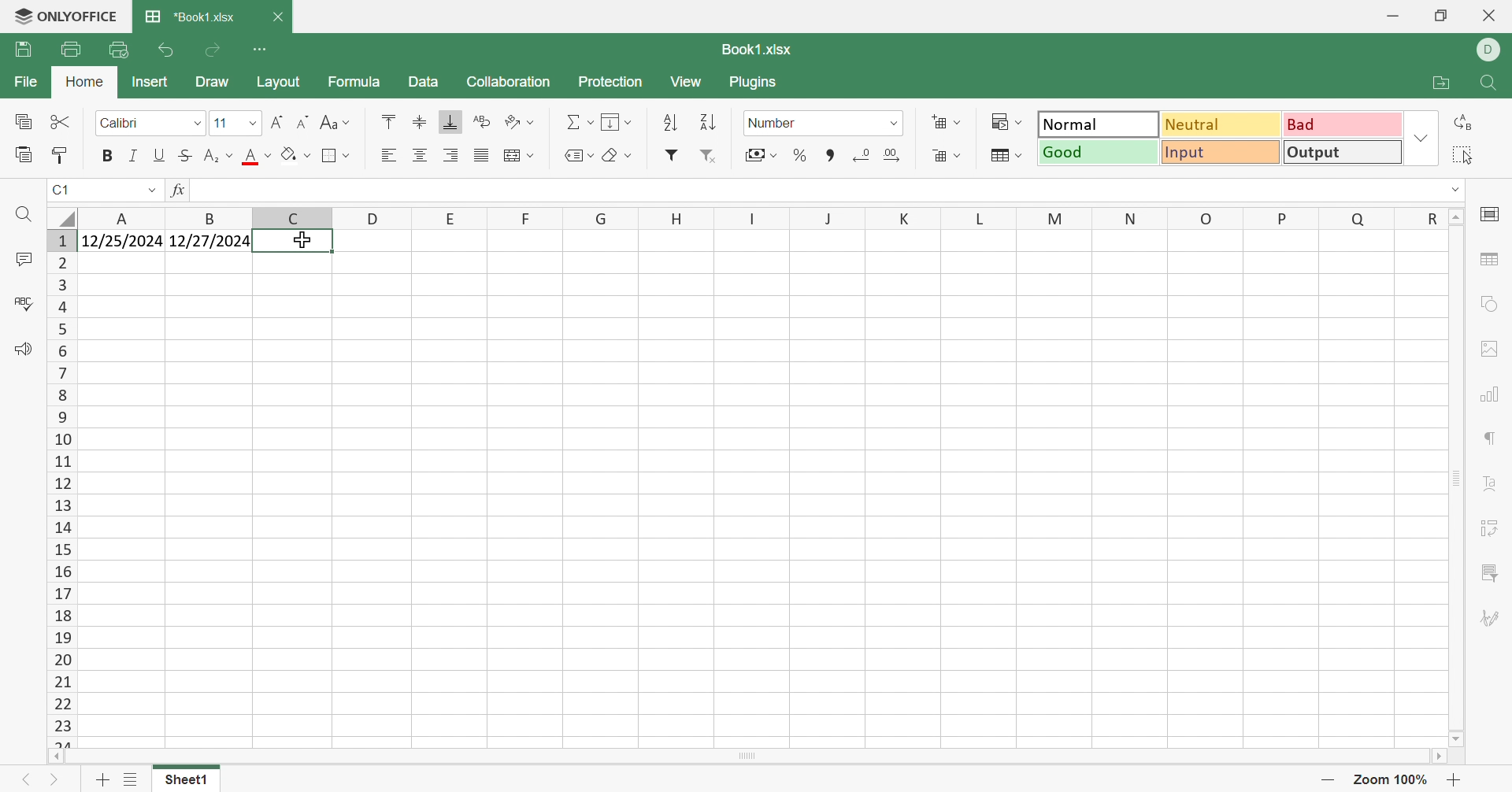  What do you see at coordinates (389, 156) in the screenshot?
I see `Align Left` at bounding box center [389, 156].